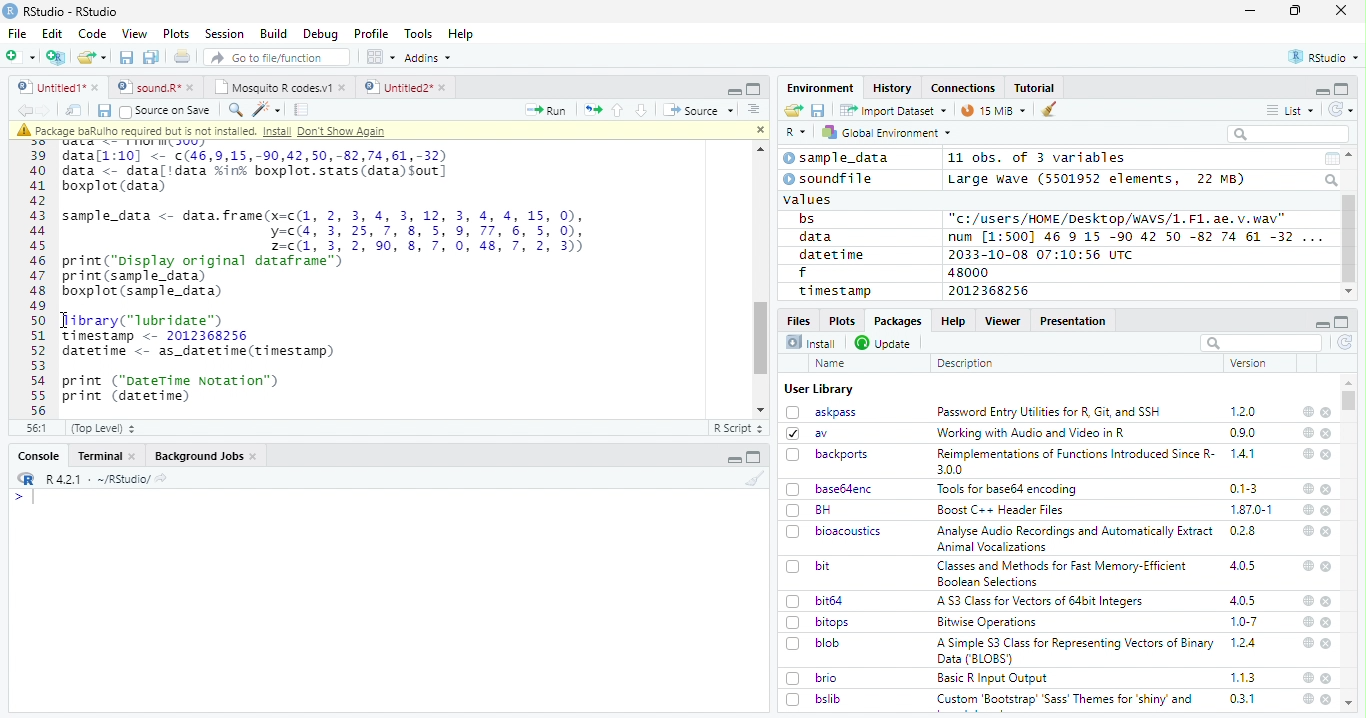 This screenshot has width=1366, height=718. I want to click on logo, so click(10, 11).